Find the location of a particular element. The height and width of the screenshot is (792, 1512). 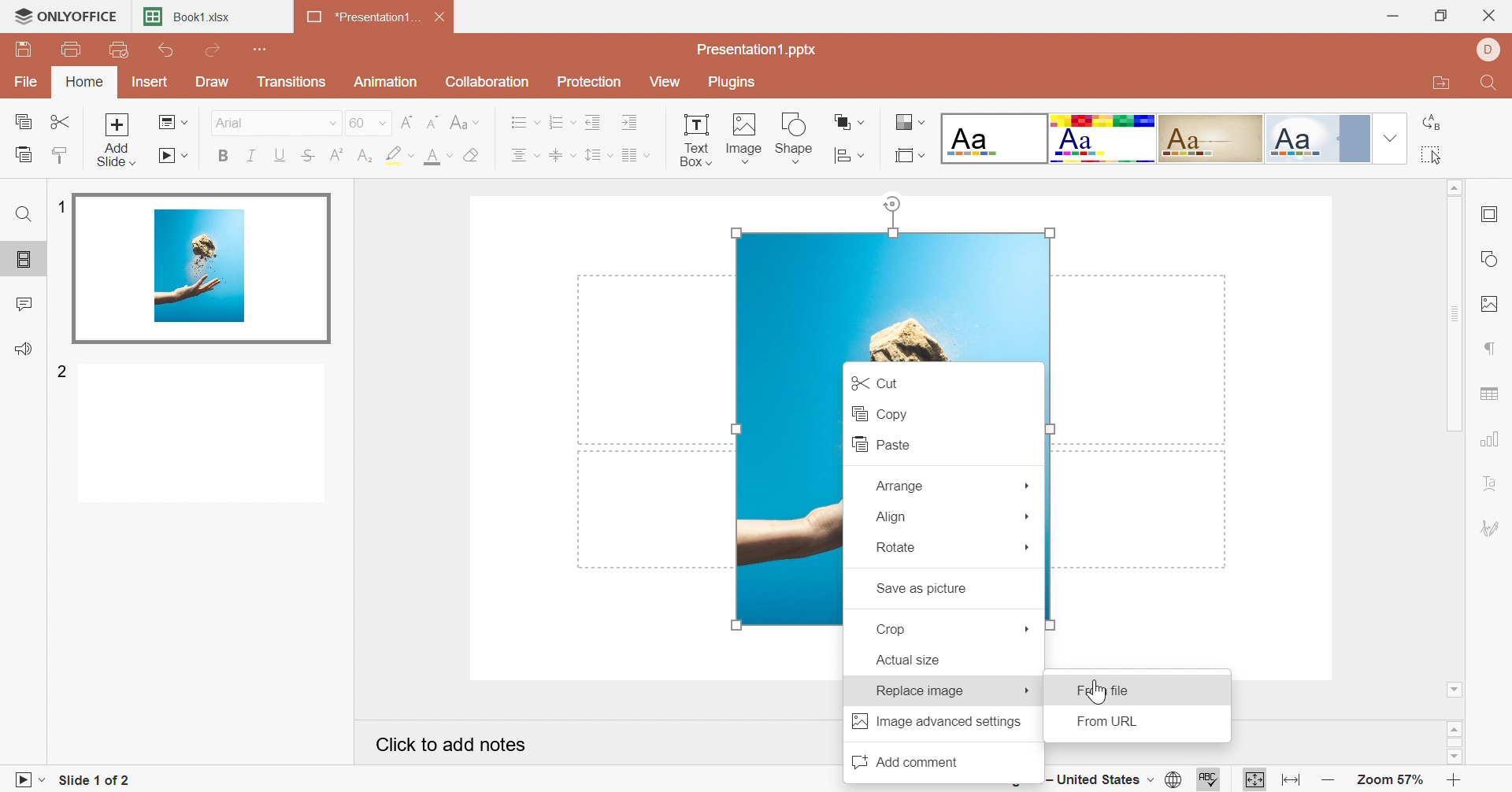

From URL is located at coordinates (1113, 723).